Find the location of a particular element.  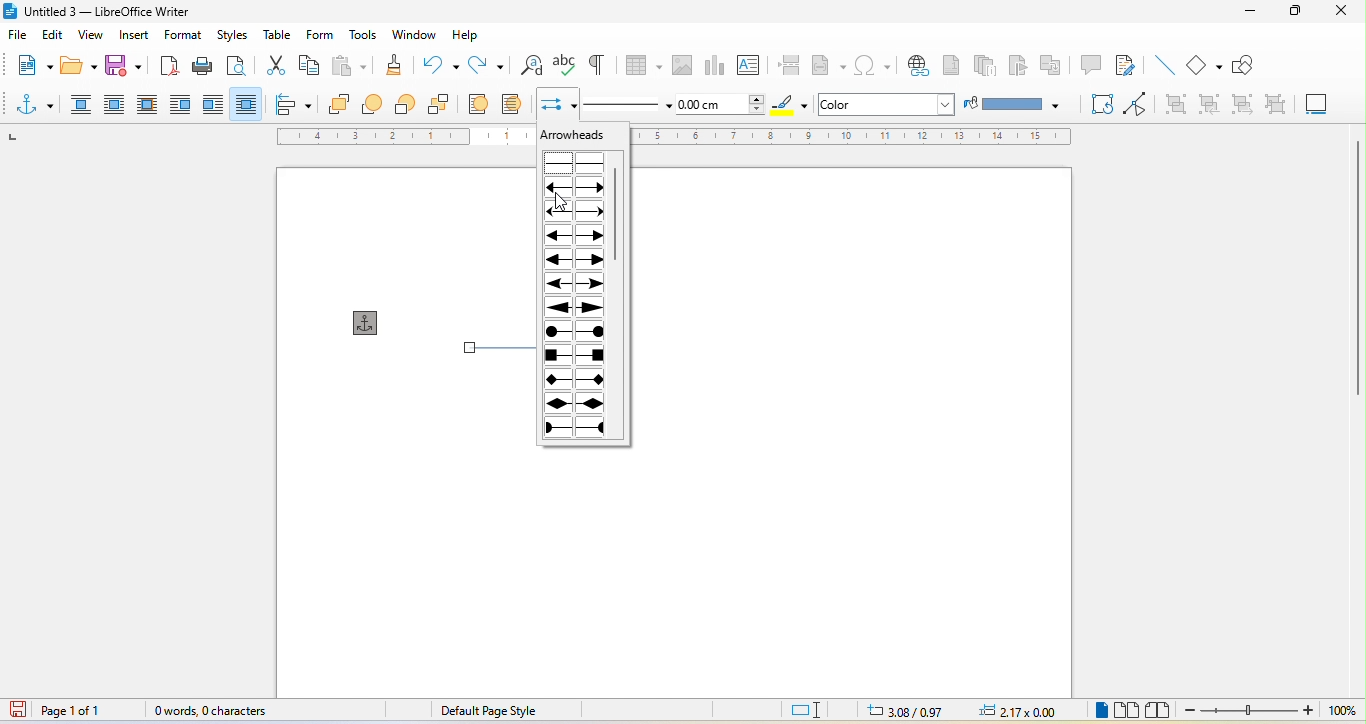

save is located at coordinates (126, 66).